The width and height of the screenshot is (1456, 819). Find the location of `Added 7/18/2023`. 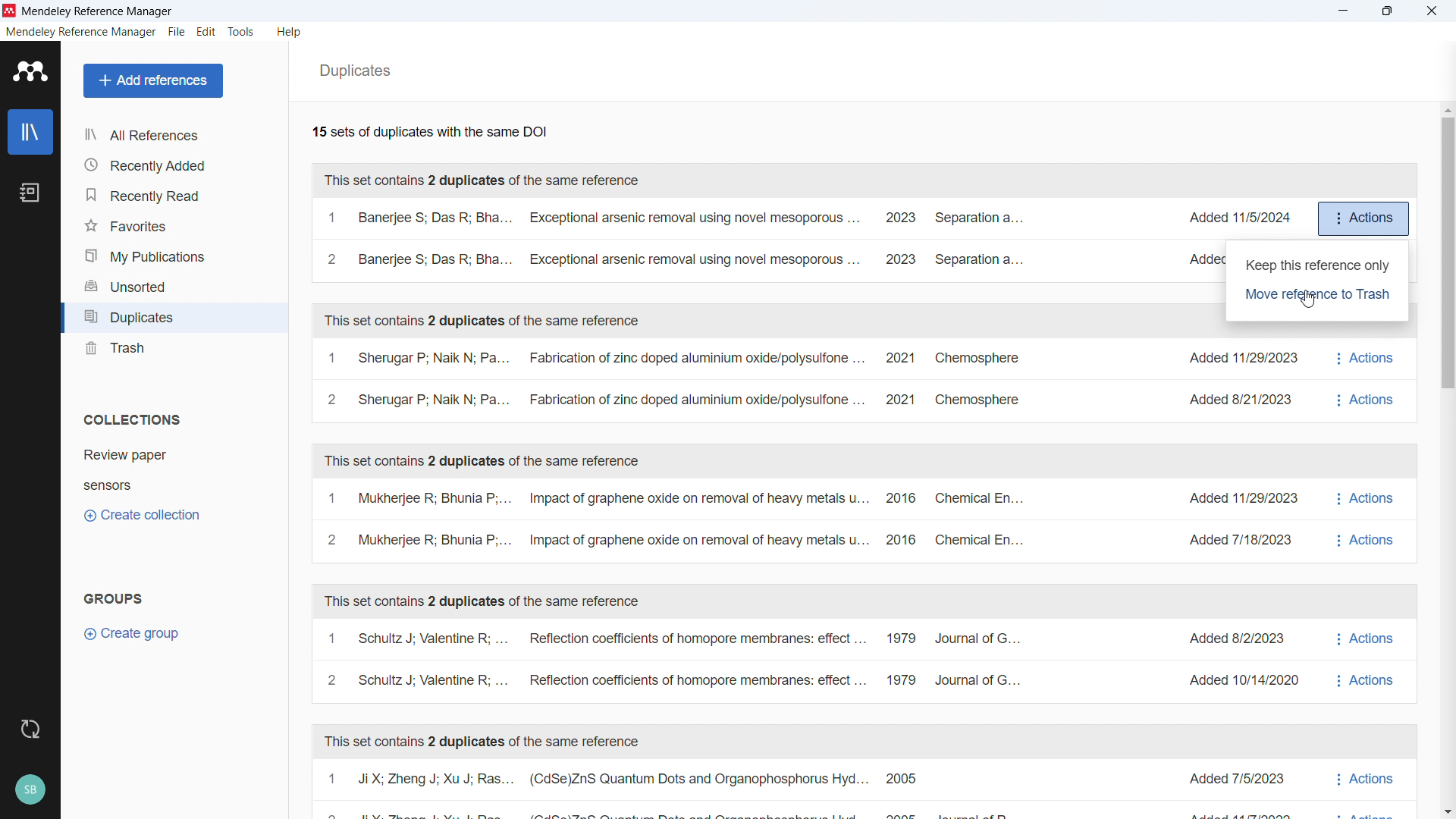

Added 7/18/2023 is located at coordinates (1240, 538).